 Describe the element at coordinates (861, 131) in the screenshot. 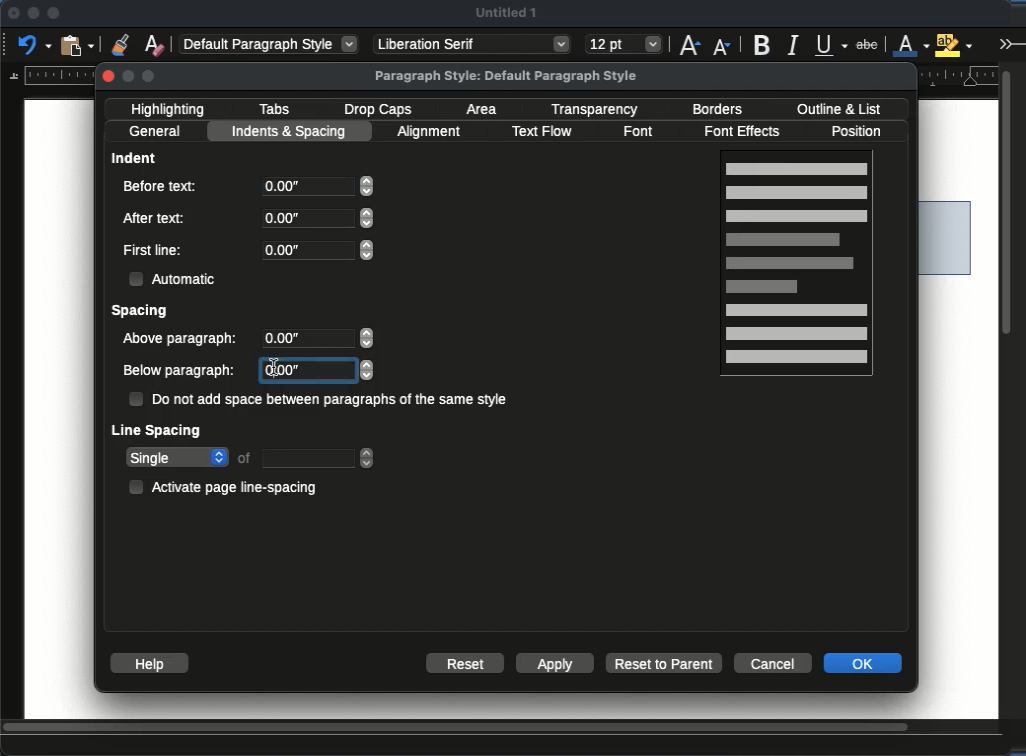

I see `position` at that location.